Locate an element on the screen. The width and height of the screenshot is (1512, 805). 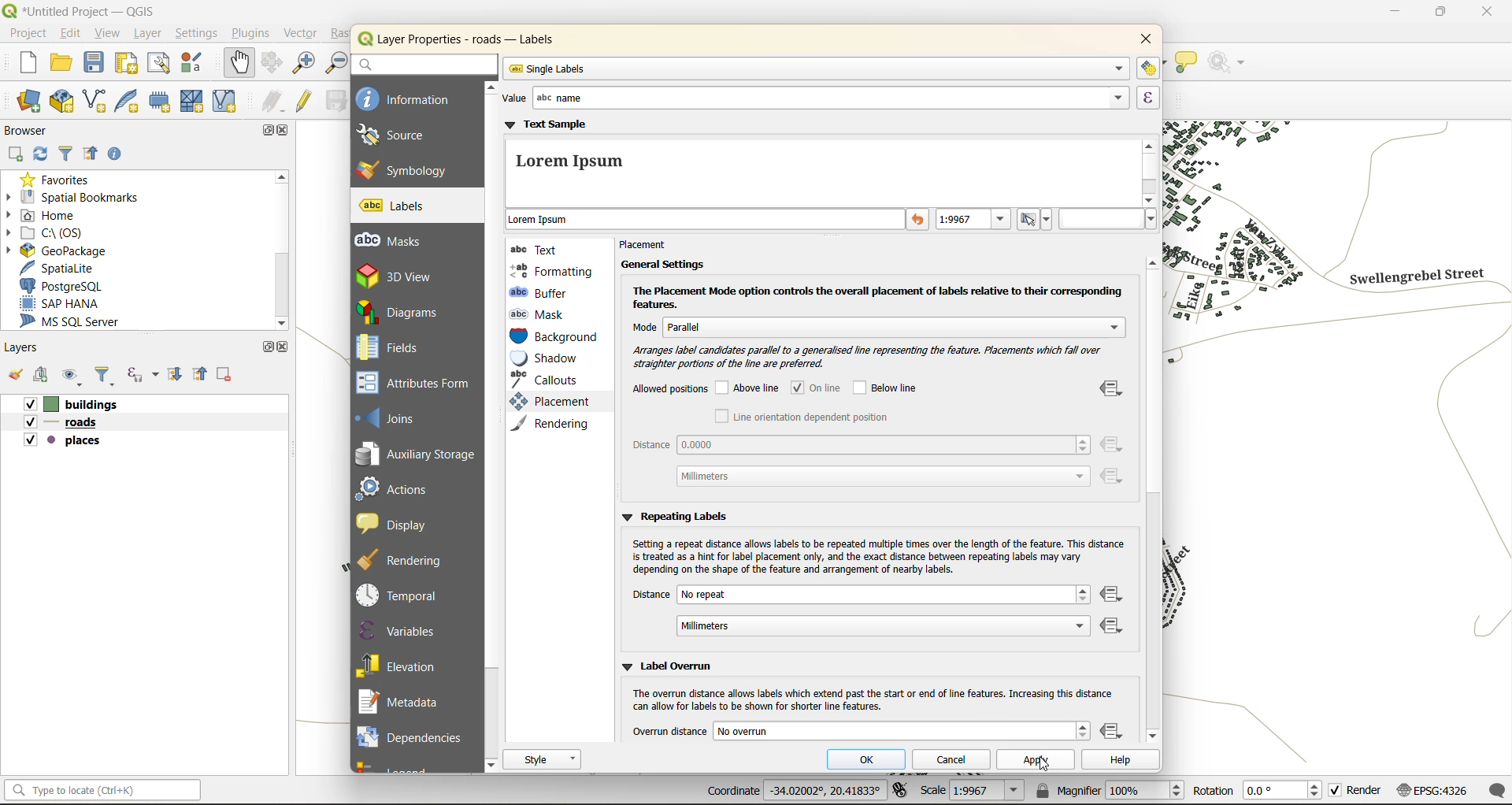
scale is located at coordinates (973, 792).